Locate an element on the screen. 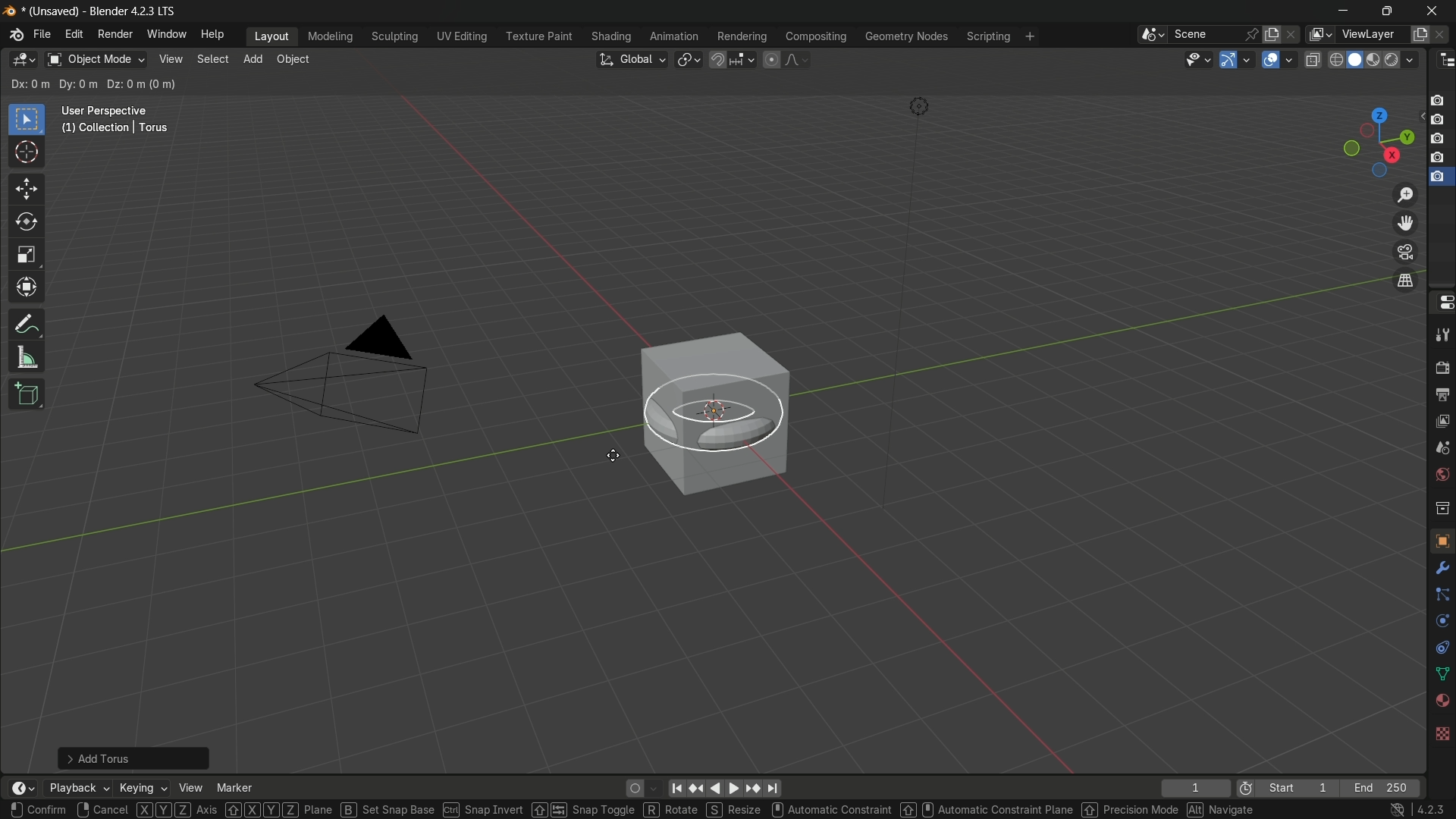 This screenshot has width=1456, height=819. jump to endpoint is located at coordinates (674, 789).